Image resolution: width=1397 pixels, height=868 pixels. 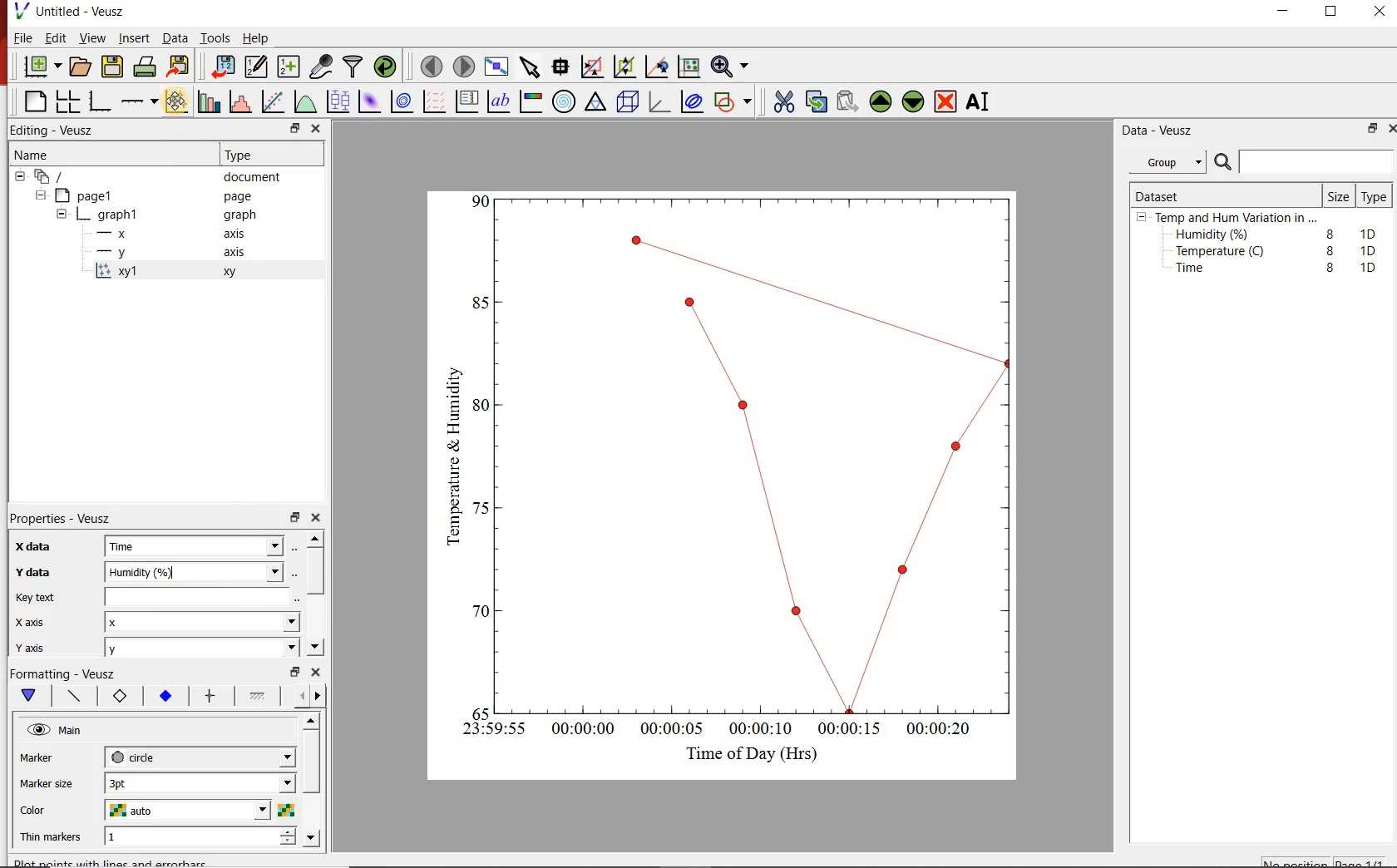 I want to click on 0.8, so click(x=479, y=302).